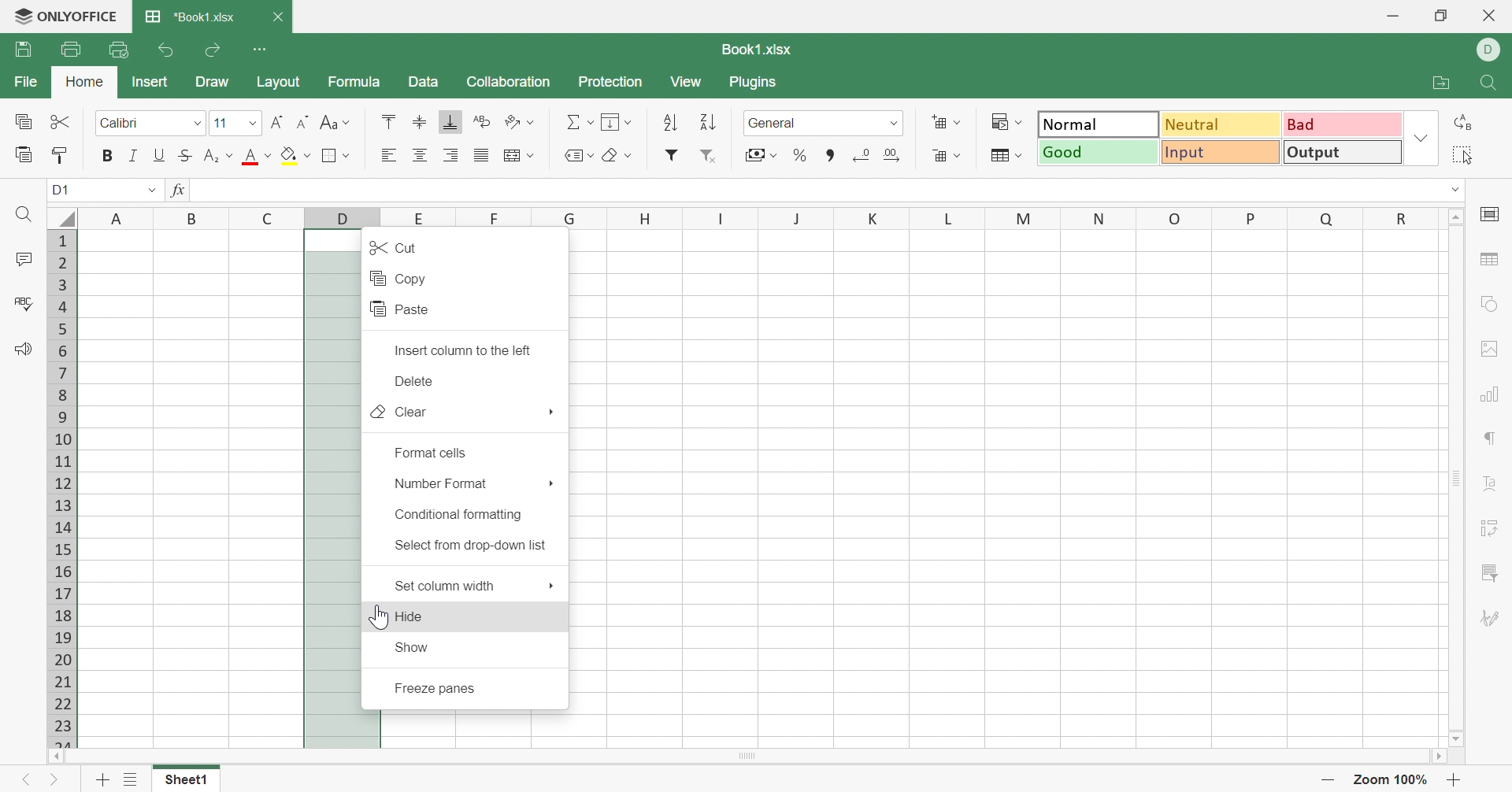 The width and height of the screenshot is (1512, 792). What do you see at coordinates (24, 80) in the screenshot?
I see `File` at bounding box center [24, 80].